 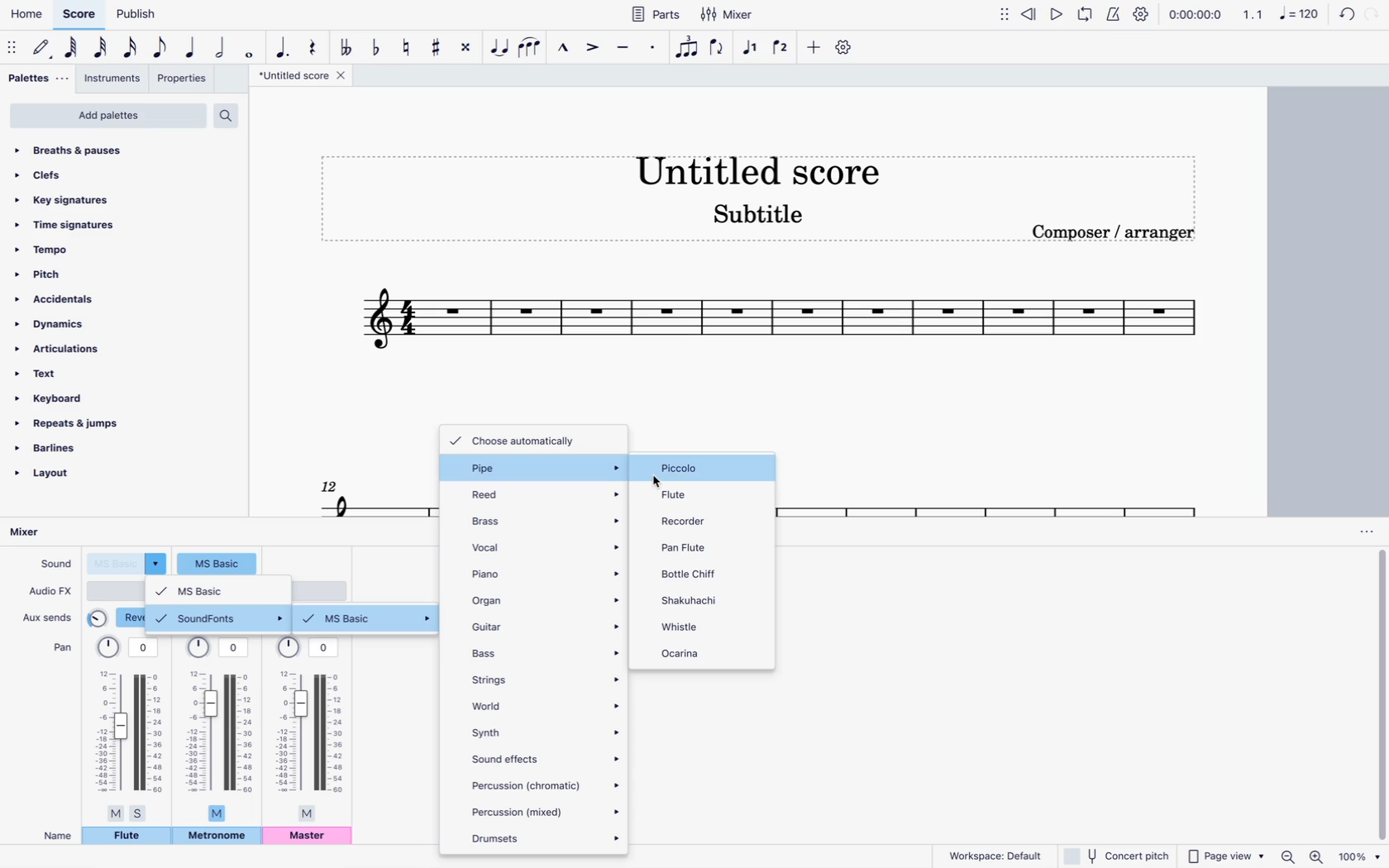 What do you see at coordinates (1005, 13) in the screenshot?
I see `move` at bounding box center [1005, 13].